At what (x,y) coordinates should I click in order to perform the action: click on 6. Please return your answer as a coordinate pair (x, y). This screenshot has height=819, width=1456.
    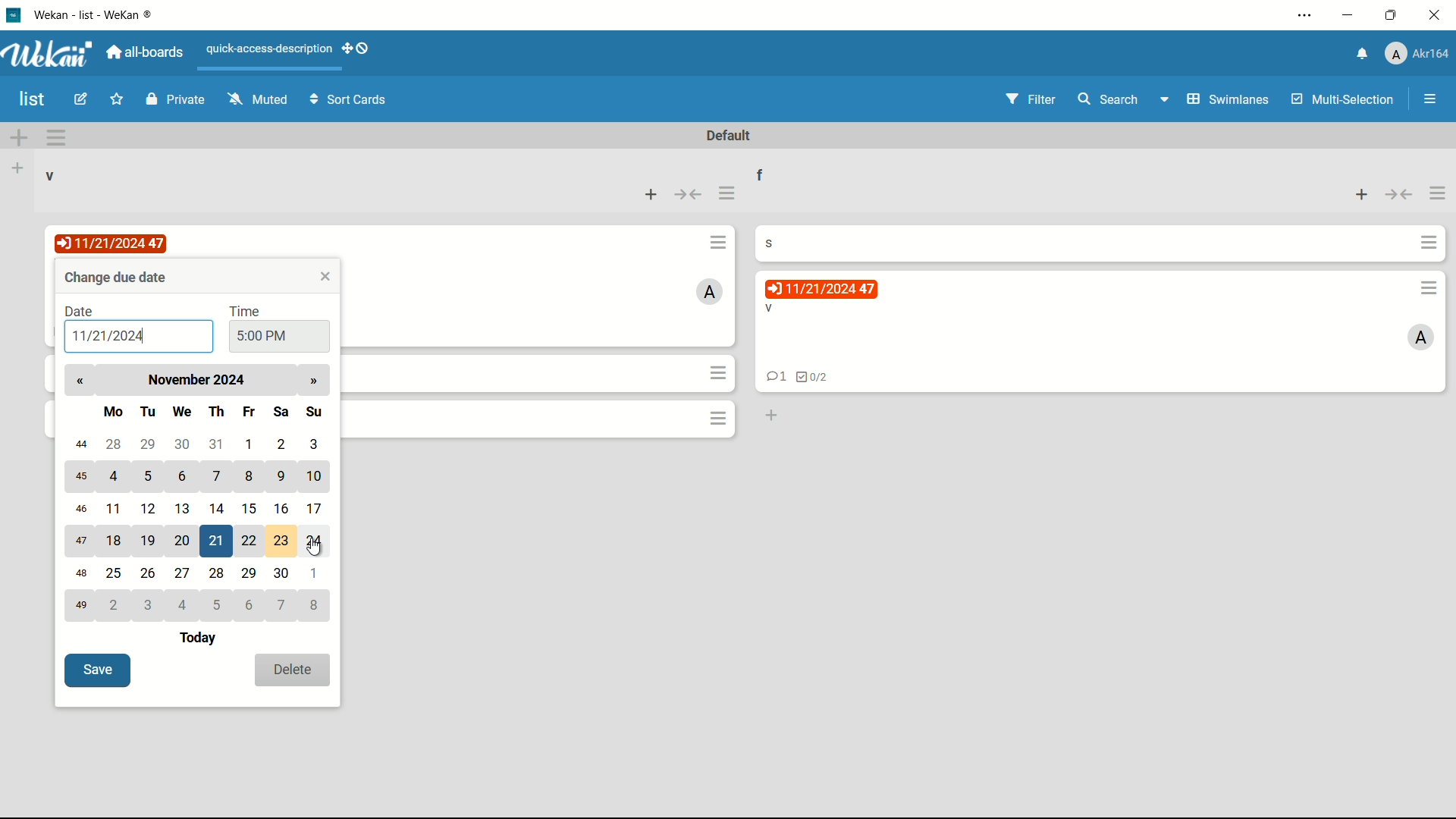
    Looking at the image, I should click on (185, 477).